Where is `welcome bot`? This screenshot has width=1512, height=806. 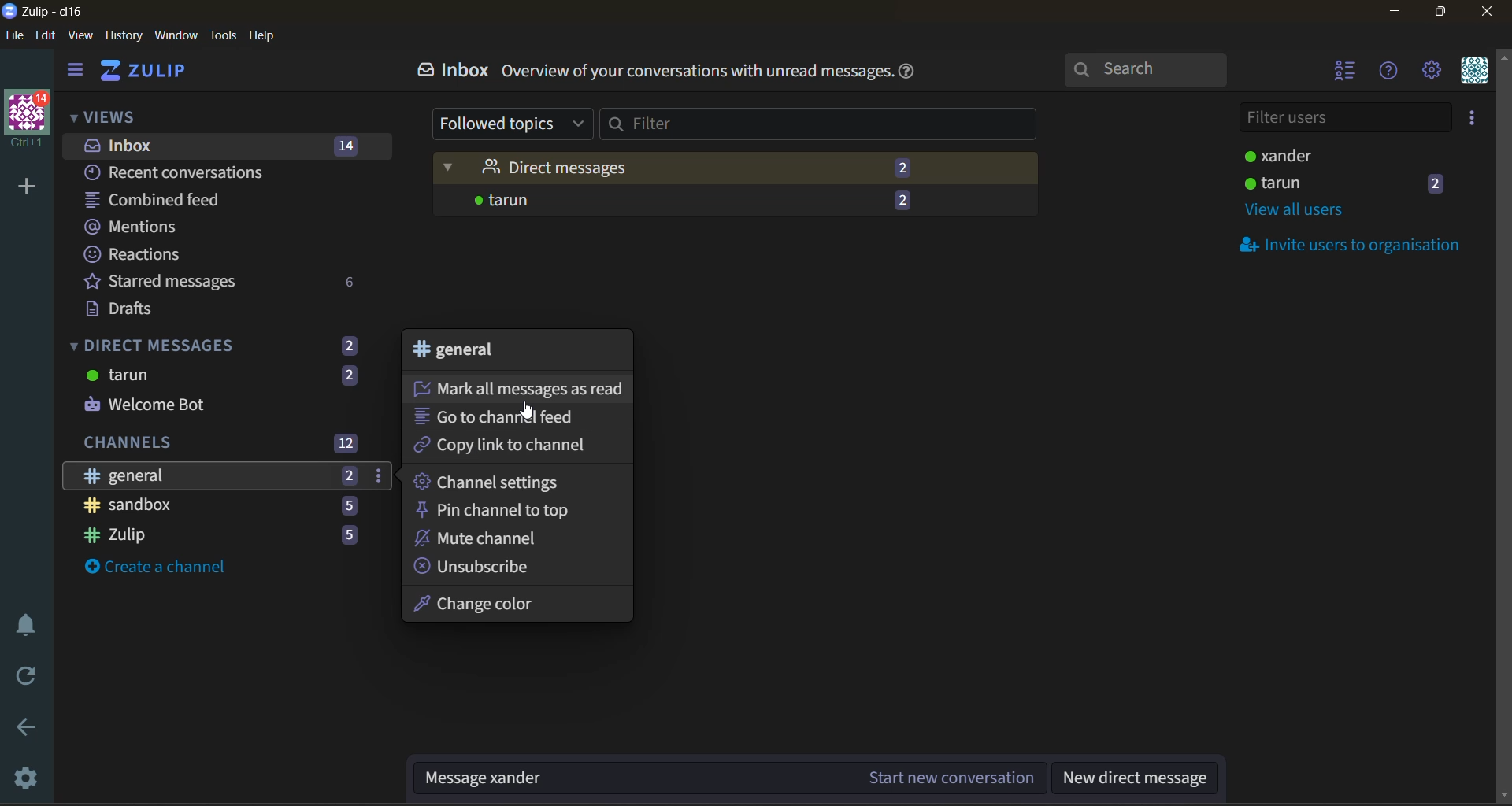 welcome bot is located at coordinates (196, 405).